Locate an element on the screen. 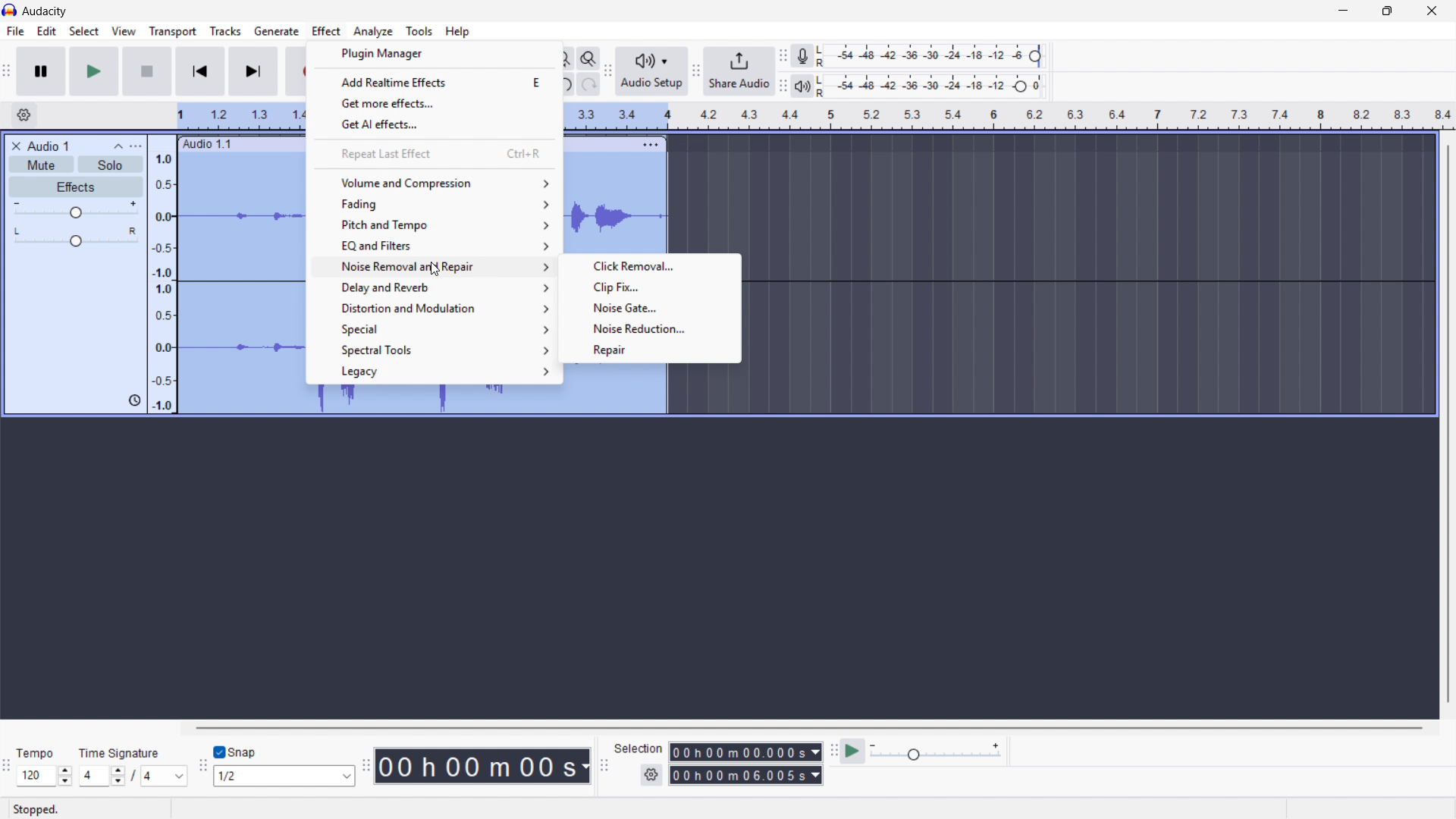 This screenshot has width=1456, height=819. Skip to start  is located at coordinates (199, 71).